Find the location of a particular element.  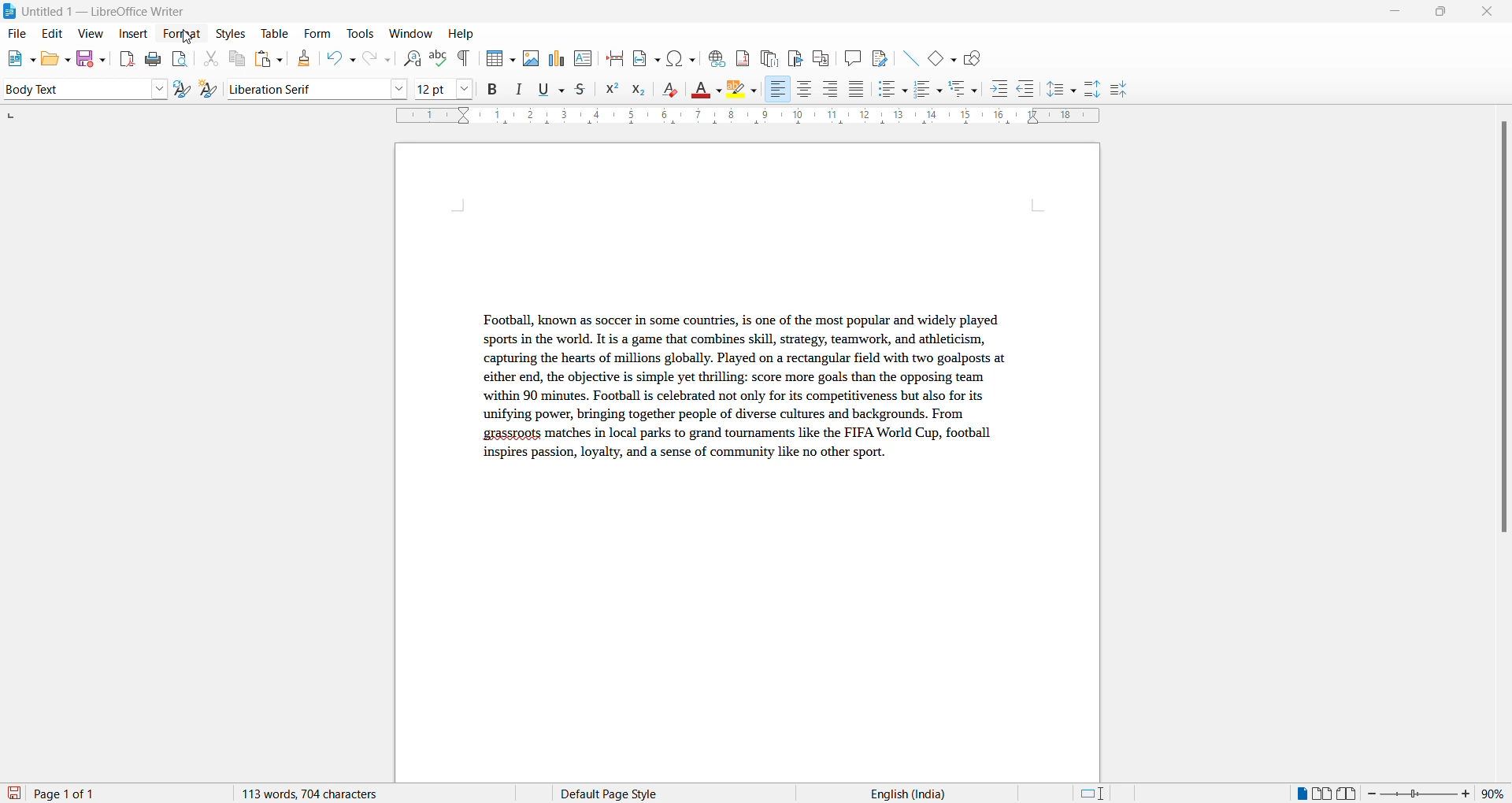

cursor is located at coordinates (190, 39).